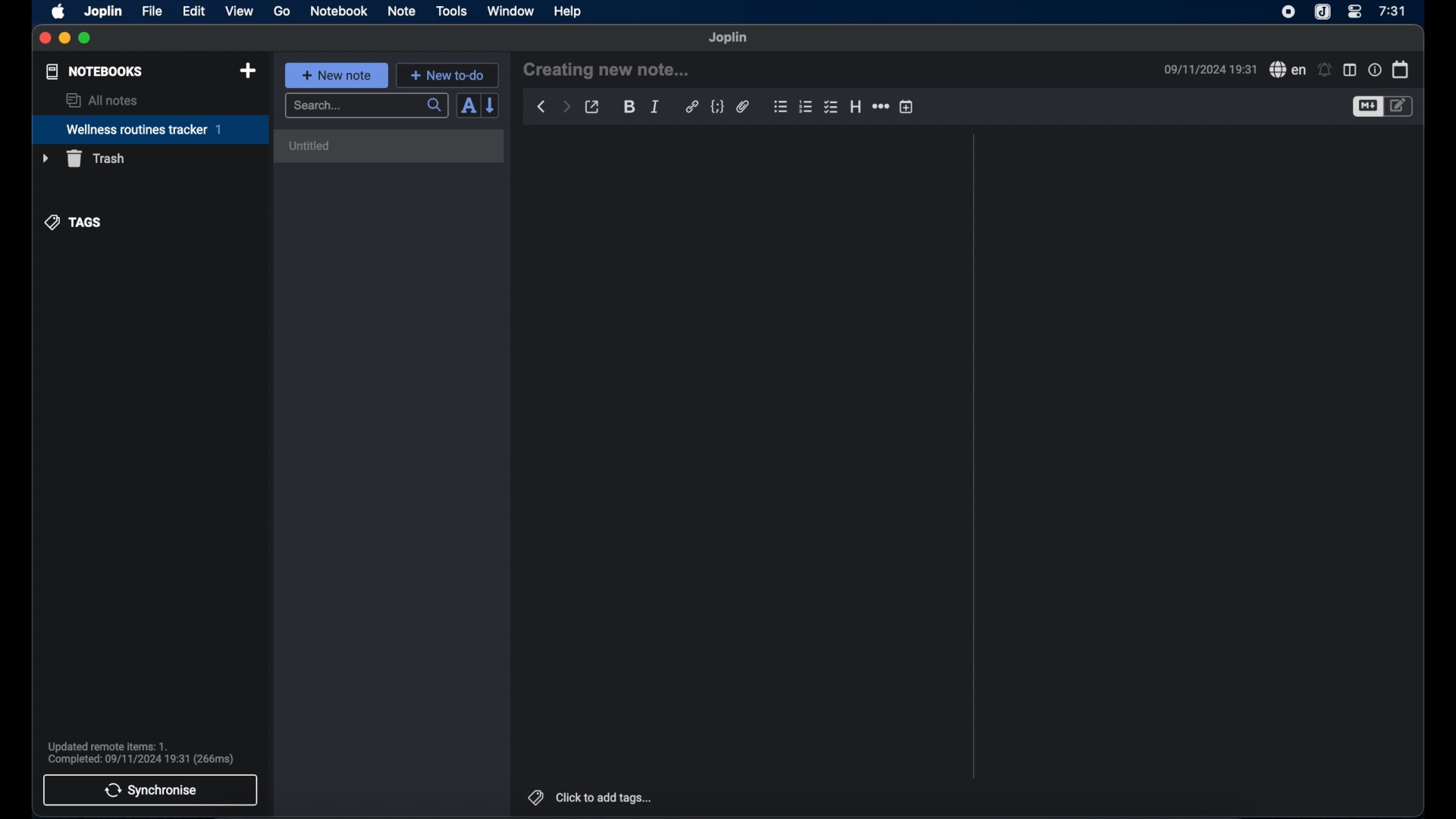 The width and height of the screenshot is (1456, 819). What do you see at coordinates (973, 457) in the screenshot?
I see `Scroll bar` at bounding box center [973, 457].